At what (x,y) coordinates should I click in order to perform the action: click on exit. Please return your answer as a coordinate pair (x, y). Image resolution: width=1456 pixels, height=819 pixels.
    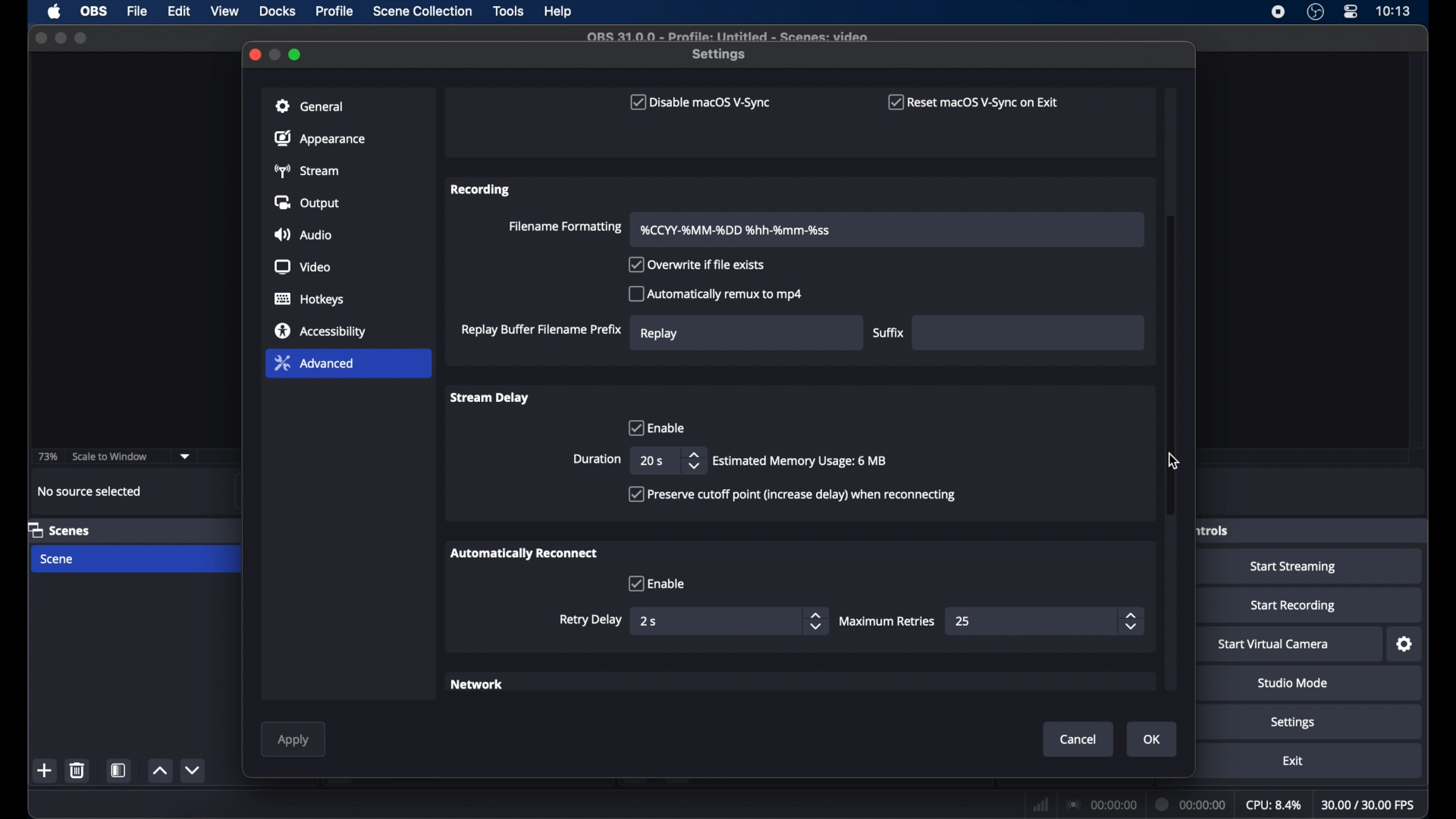
    Looking at the image, I should click on (1294, 761).